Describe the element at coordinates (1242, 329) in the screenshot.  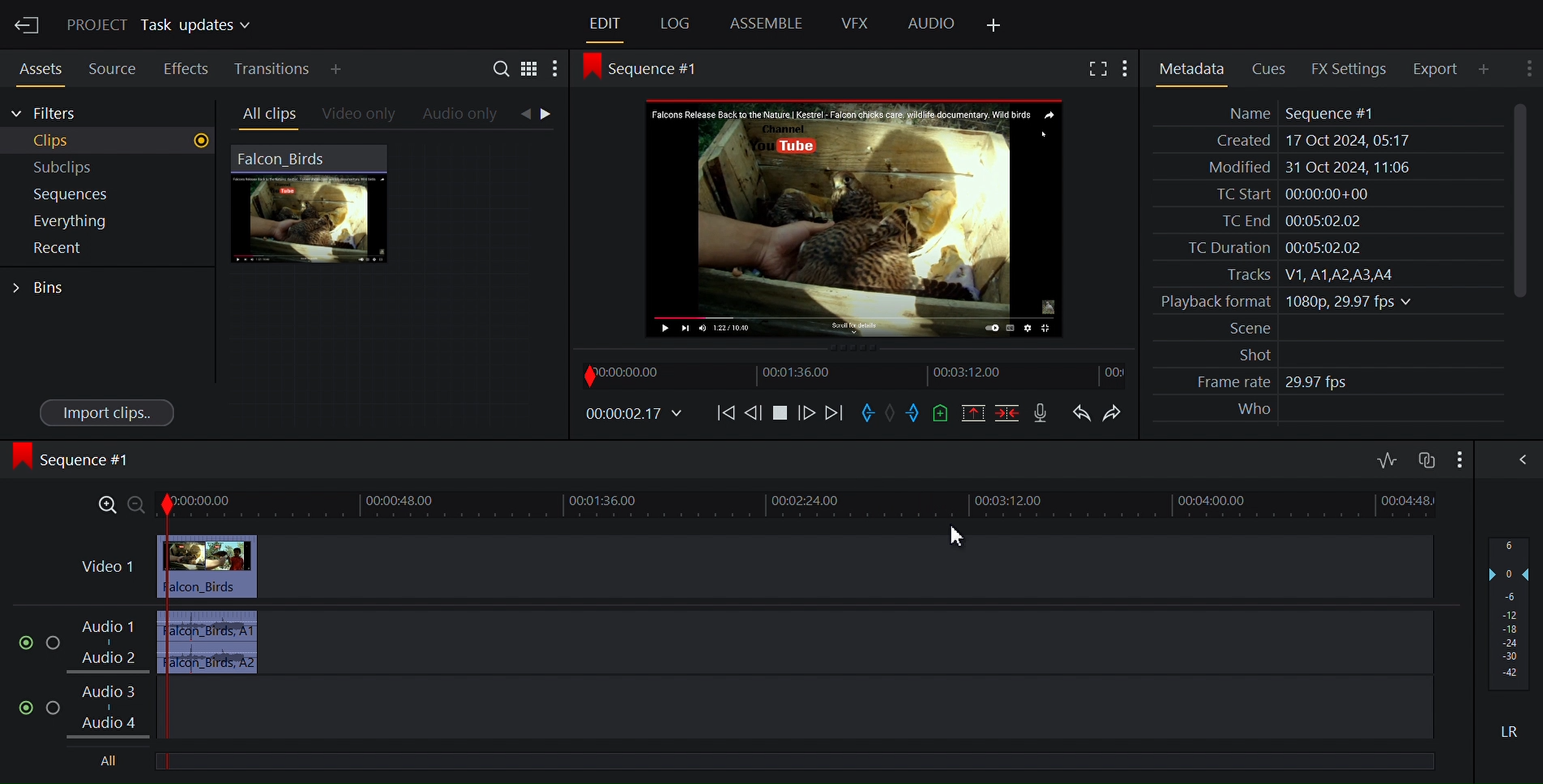
I see `Scene` at that location.